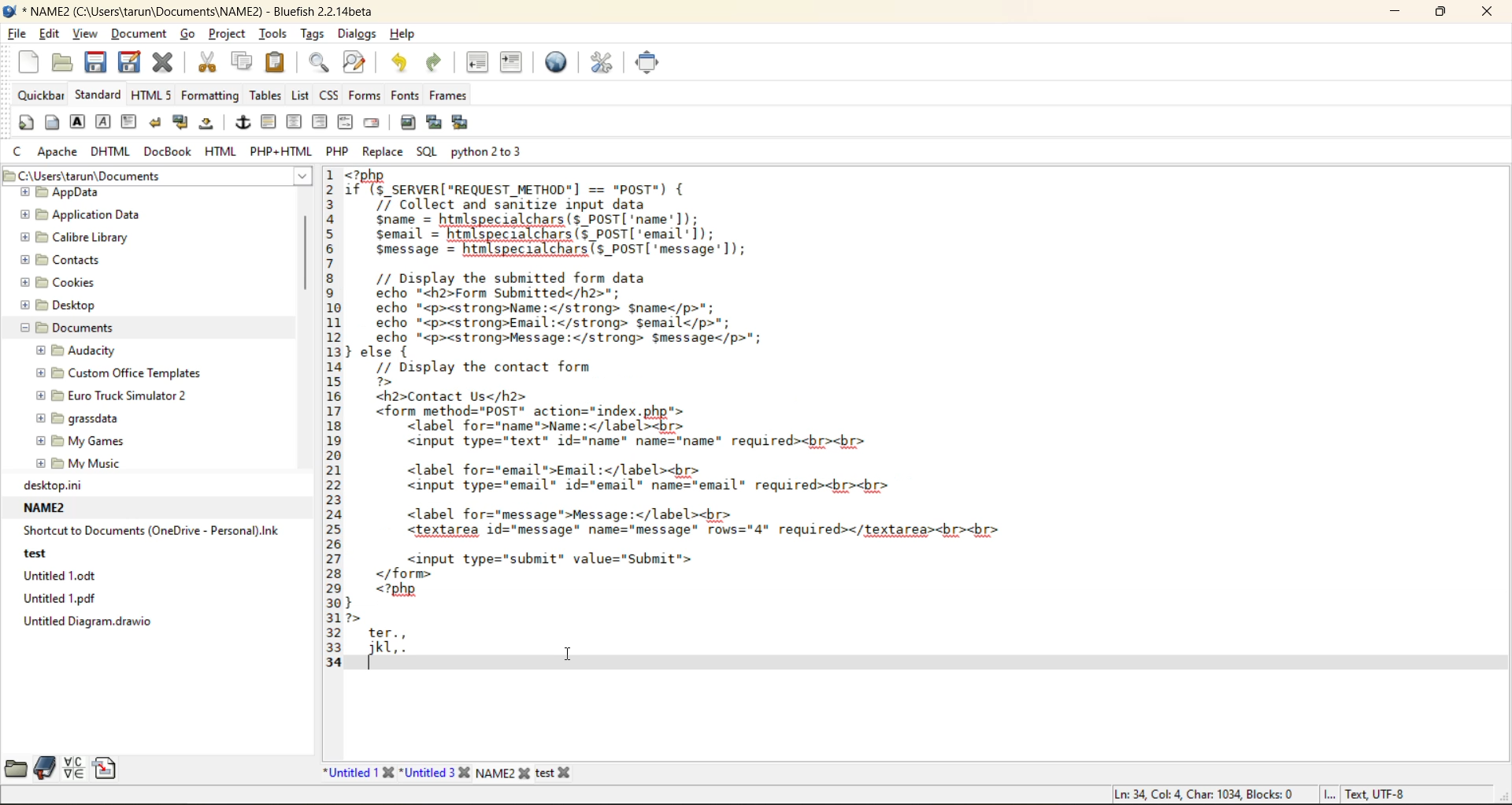 This screenshot has width=1512, height=805. I want to click on list, so click(305, 97).